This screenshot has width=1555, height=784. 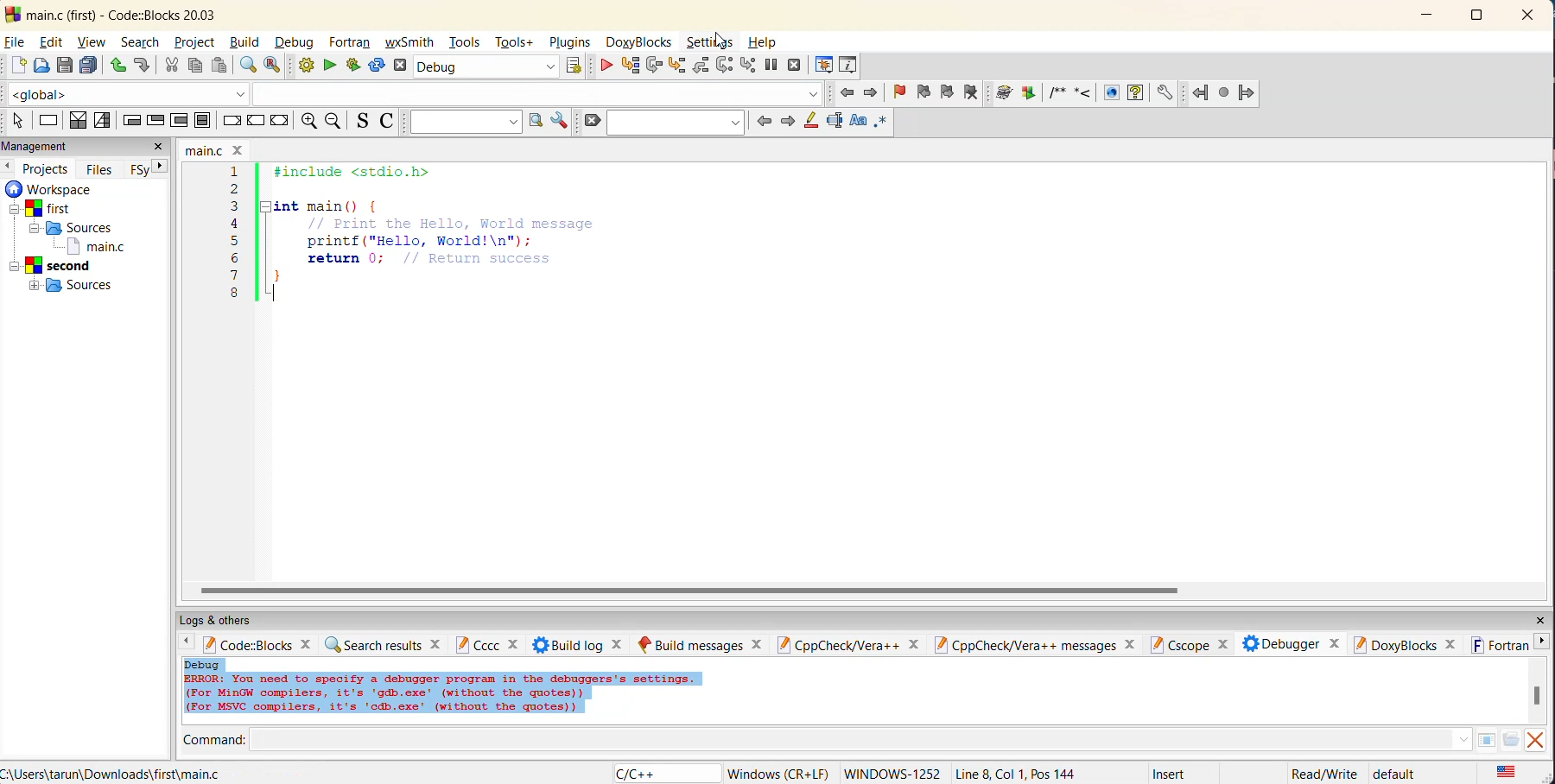 I want to click on open, so click(x=41, y=66).